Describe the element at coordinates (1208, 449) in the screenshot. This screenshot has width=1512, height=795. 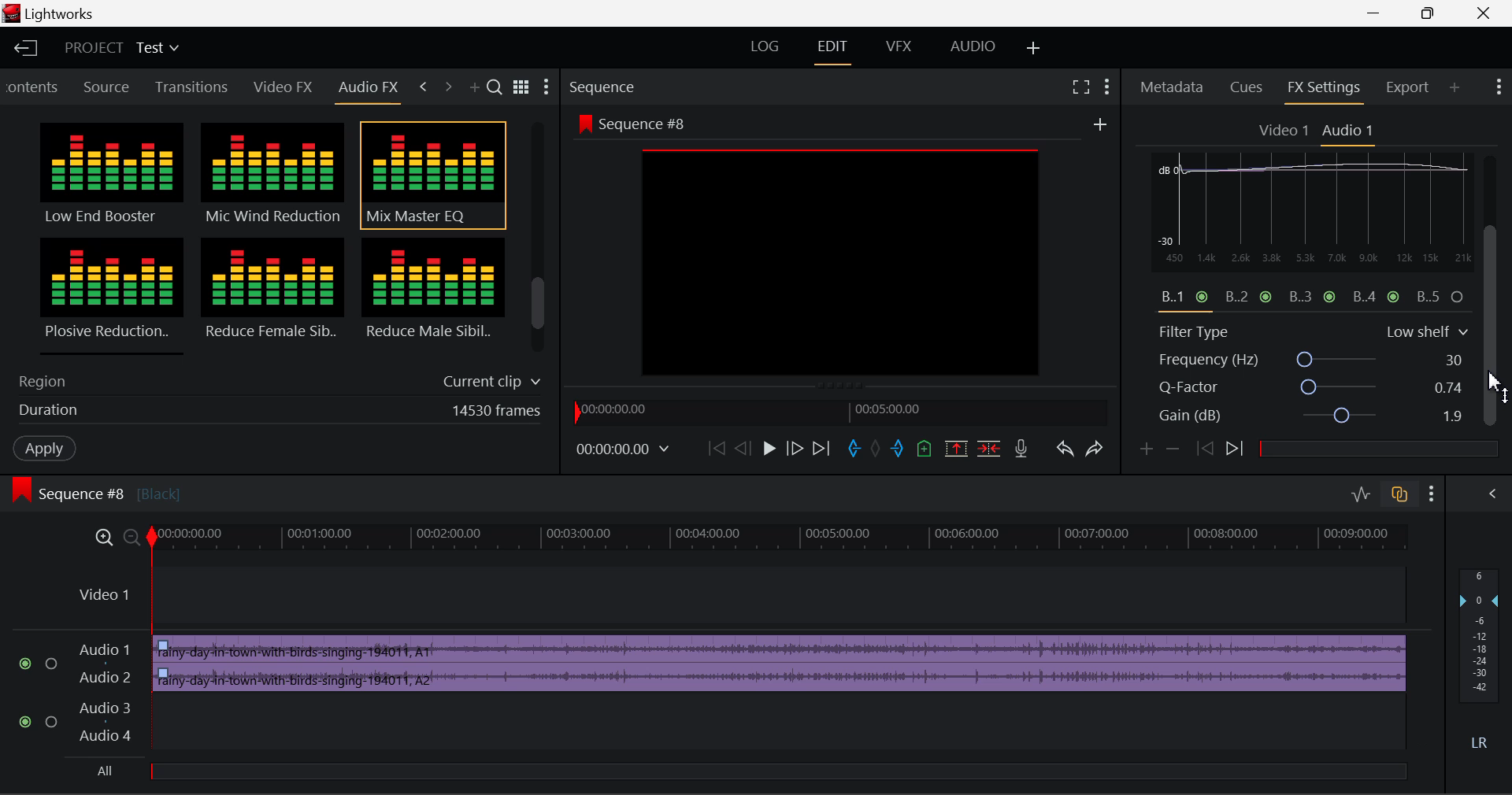
I see `Previous keyframe` at that location.